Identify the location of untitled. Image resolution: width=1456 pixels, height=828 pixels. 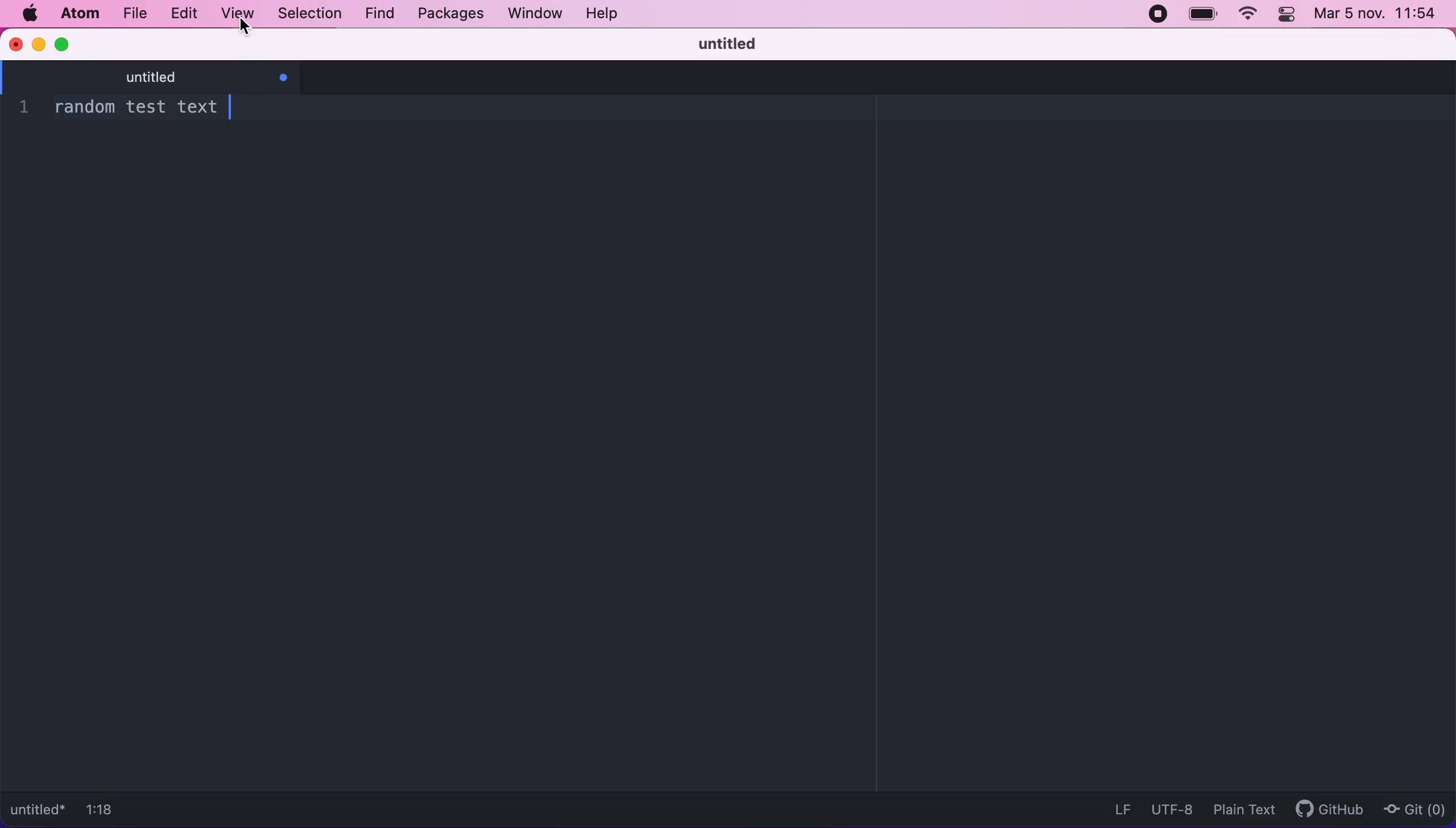
(200, 78).